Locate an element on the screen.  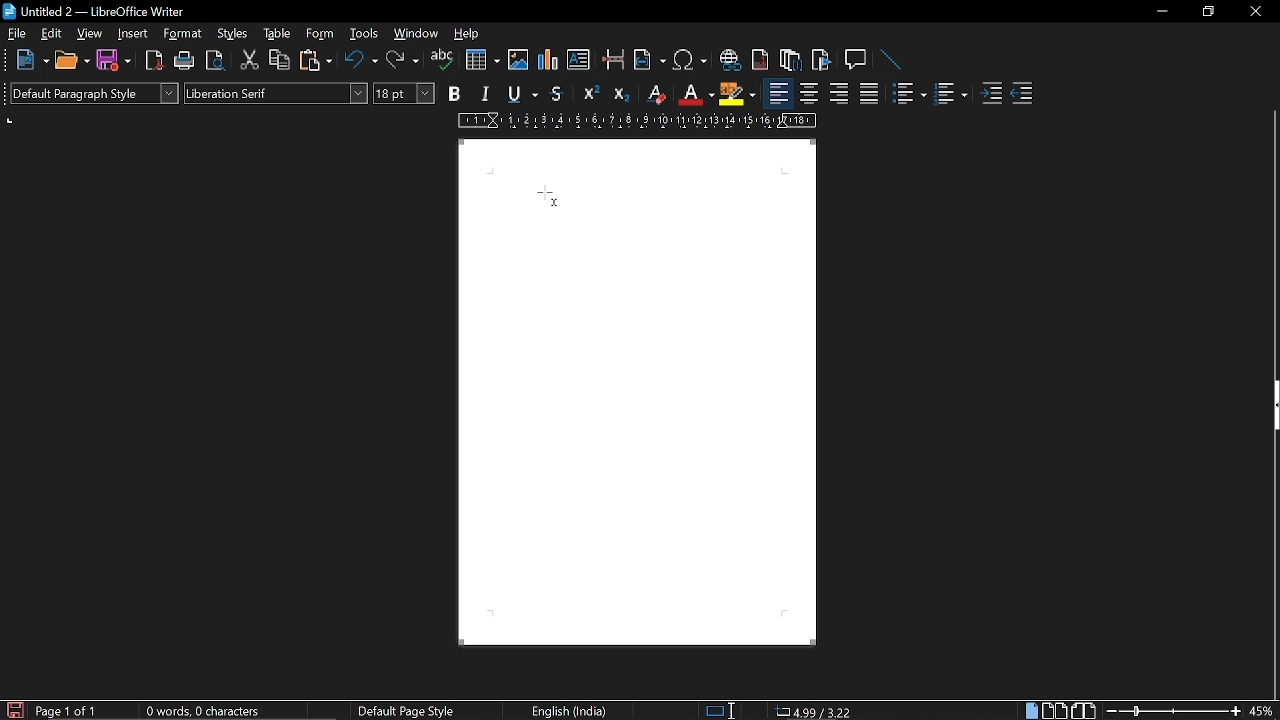
Untitled 2 - LibreOffice Writer is located at coordinates (100, 13).